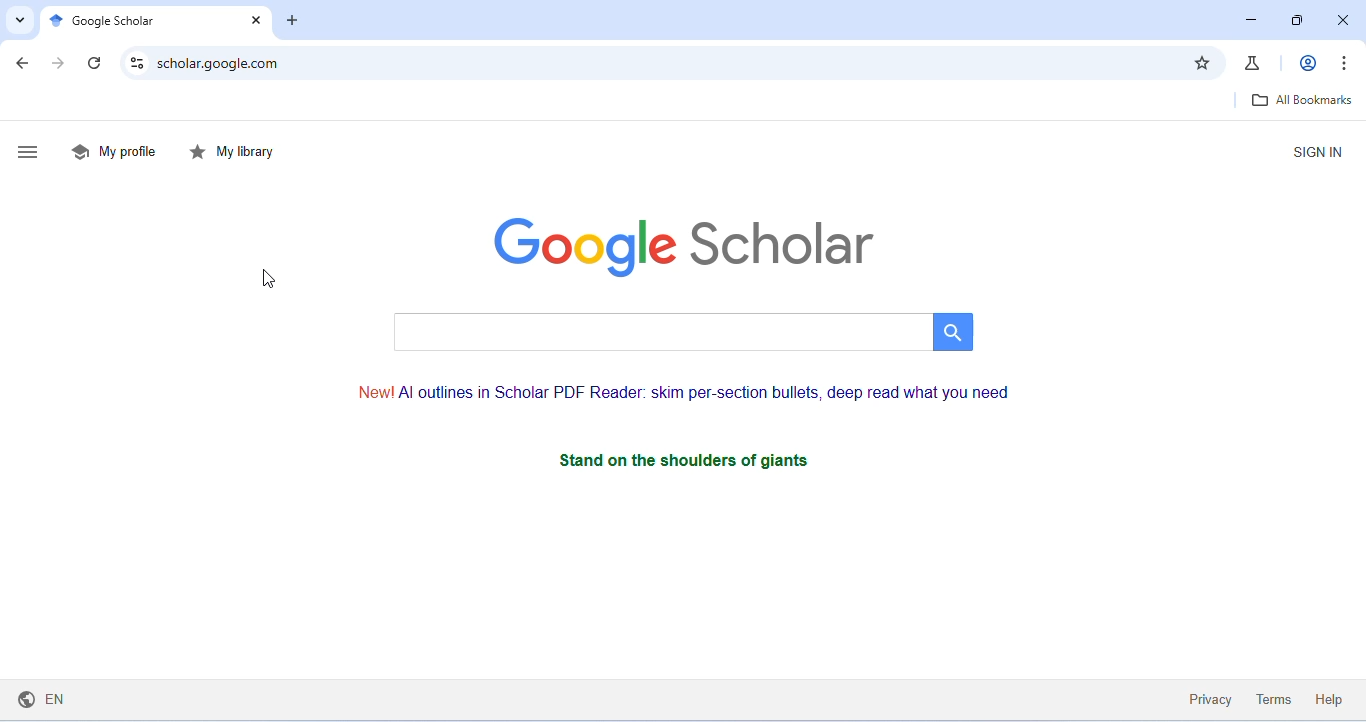 The image size is (1366, 722). I want to click on search bar, so click(678, 330).